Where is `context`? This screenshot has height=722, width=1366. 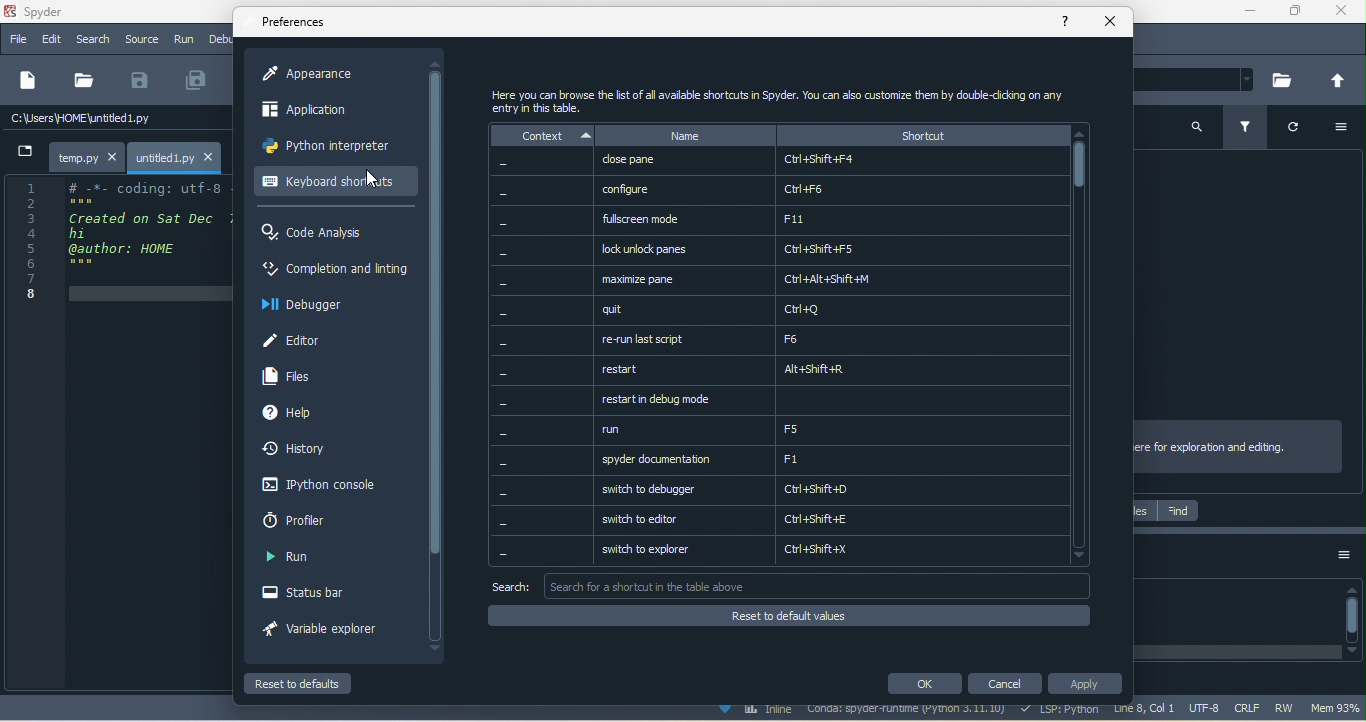
context is located at coordinates (537, 346).